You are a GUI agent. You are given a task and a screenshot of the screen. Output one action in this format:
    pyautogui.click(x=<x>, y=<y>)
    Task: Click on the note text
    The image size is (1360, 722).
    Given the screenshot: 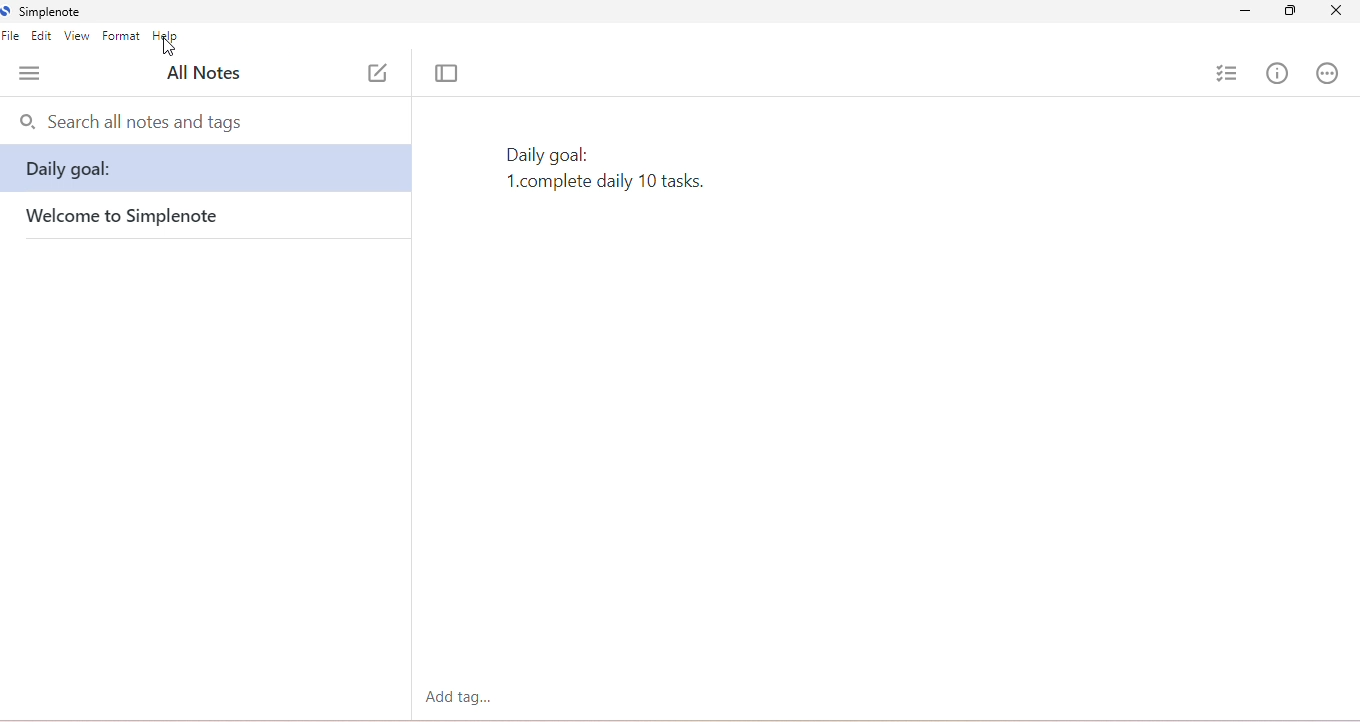 What is the action you would take?
    pyautogui.click(x=607, y=167)
    